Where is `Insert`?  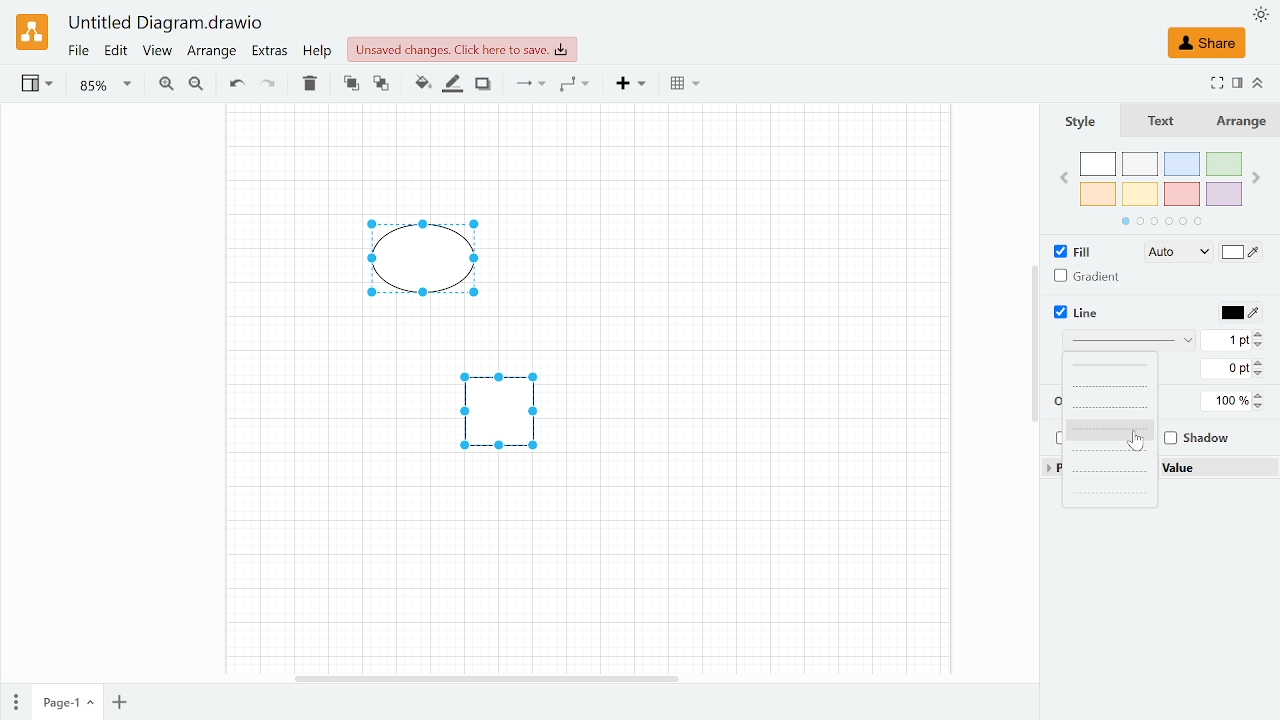 Insert is located at coordinates (632, 84).